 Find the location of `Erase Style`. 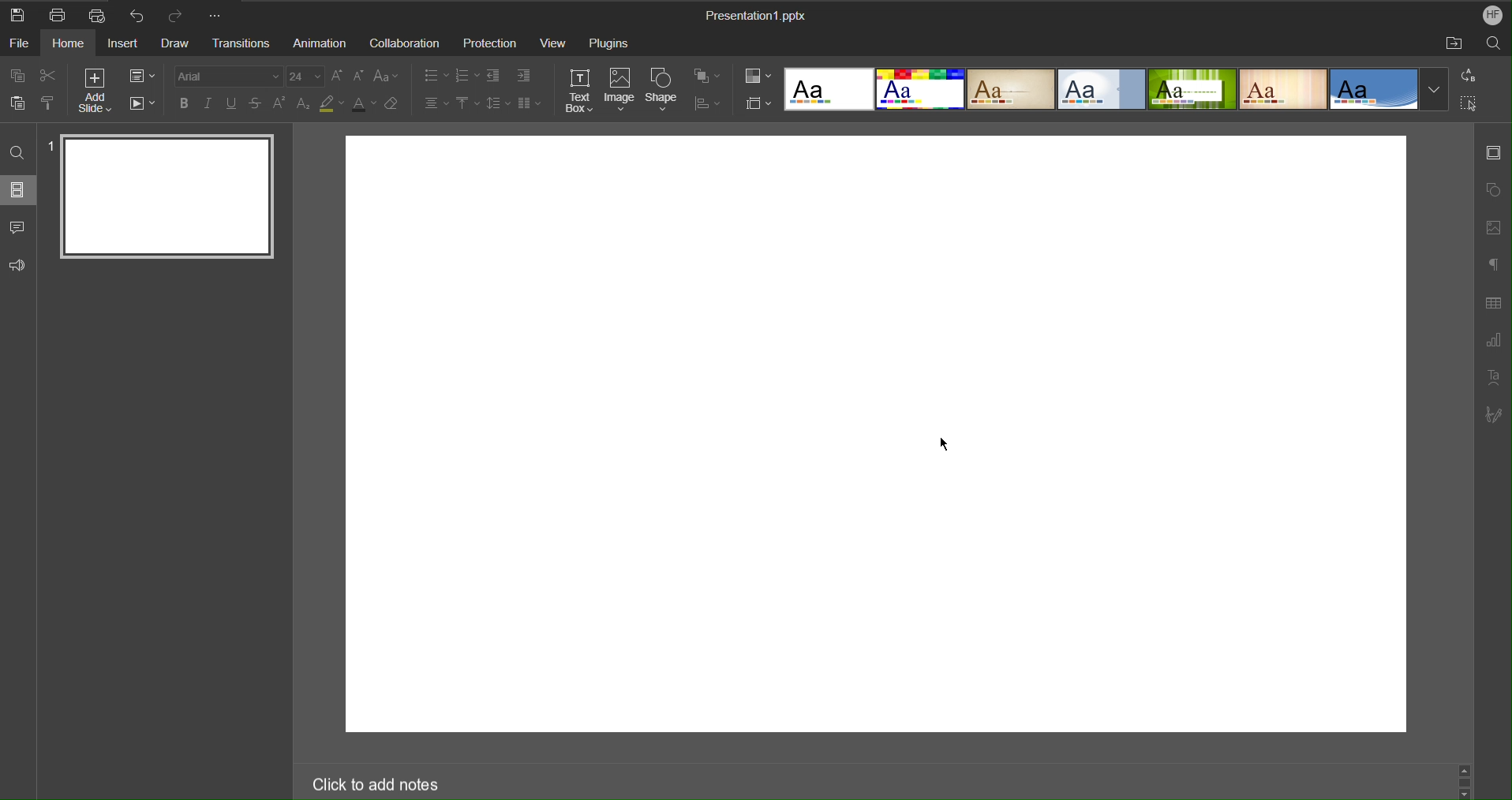

Erase Style is located at coordinates (391, 104).